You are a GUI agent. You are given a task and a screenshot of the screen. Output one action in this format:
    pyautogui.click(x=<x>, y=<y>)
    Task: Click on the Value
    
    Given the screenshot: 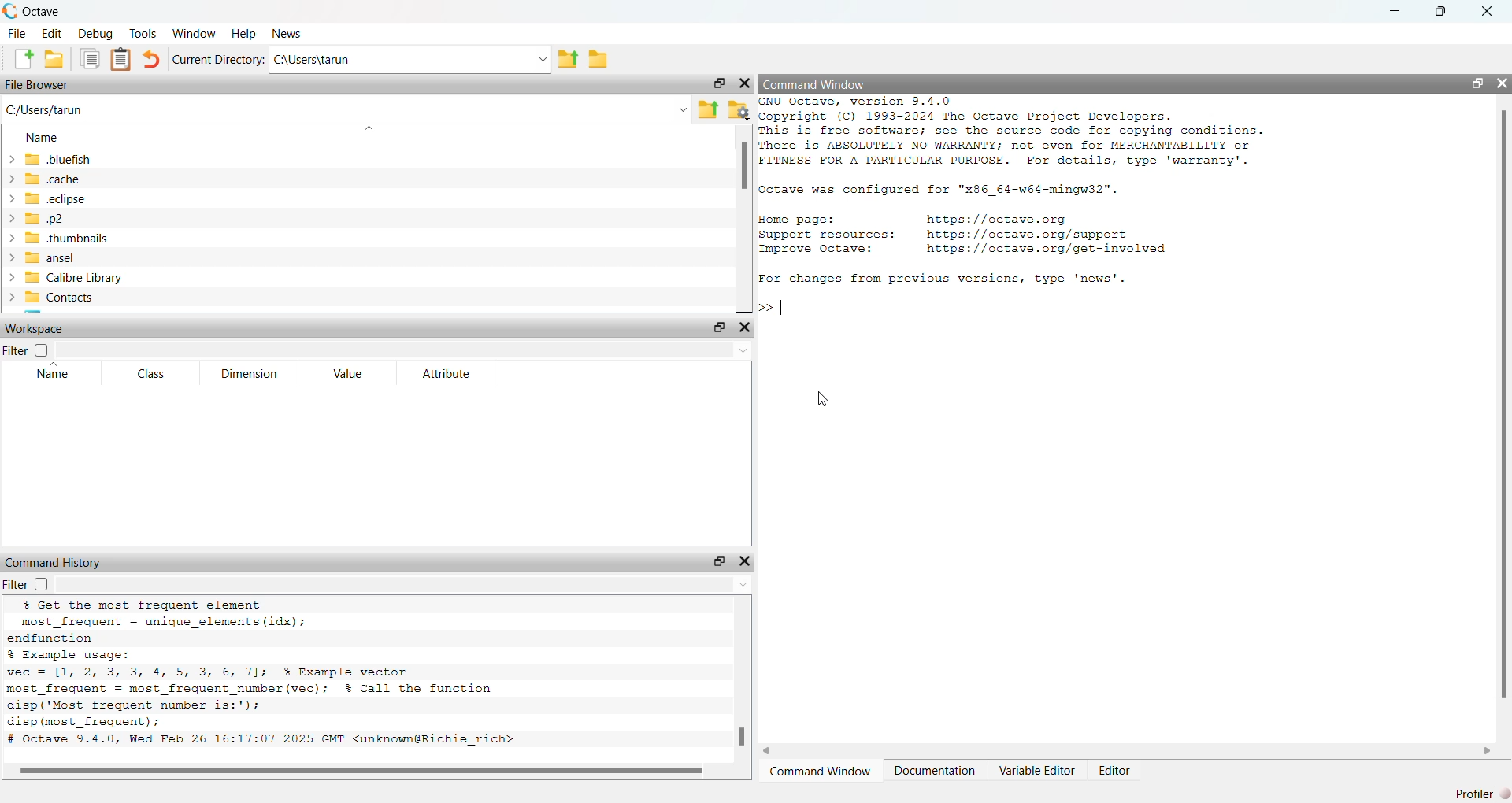 What is the action you would take?
    pyautogui.click(x=349, y=372)
    